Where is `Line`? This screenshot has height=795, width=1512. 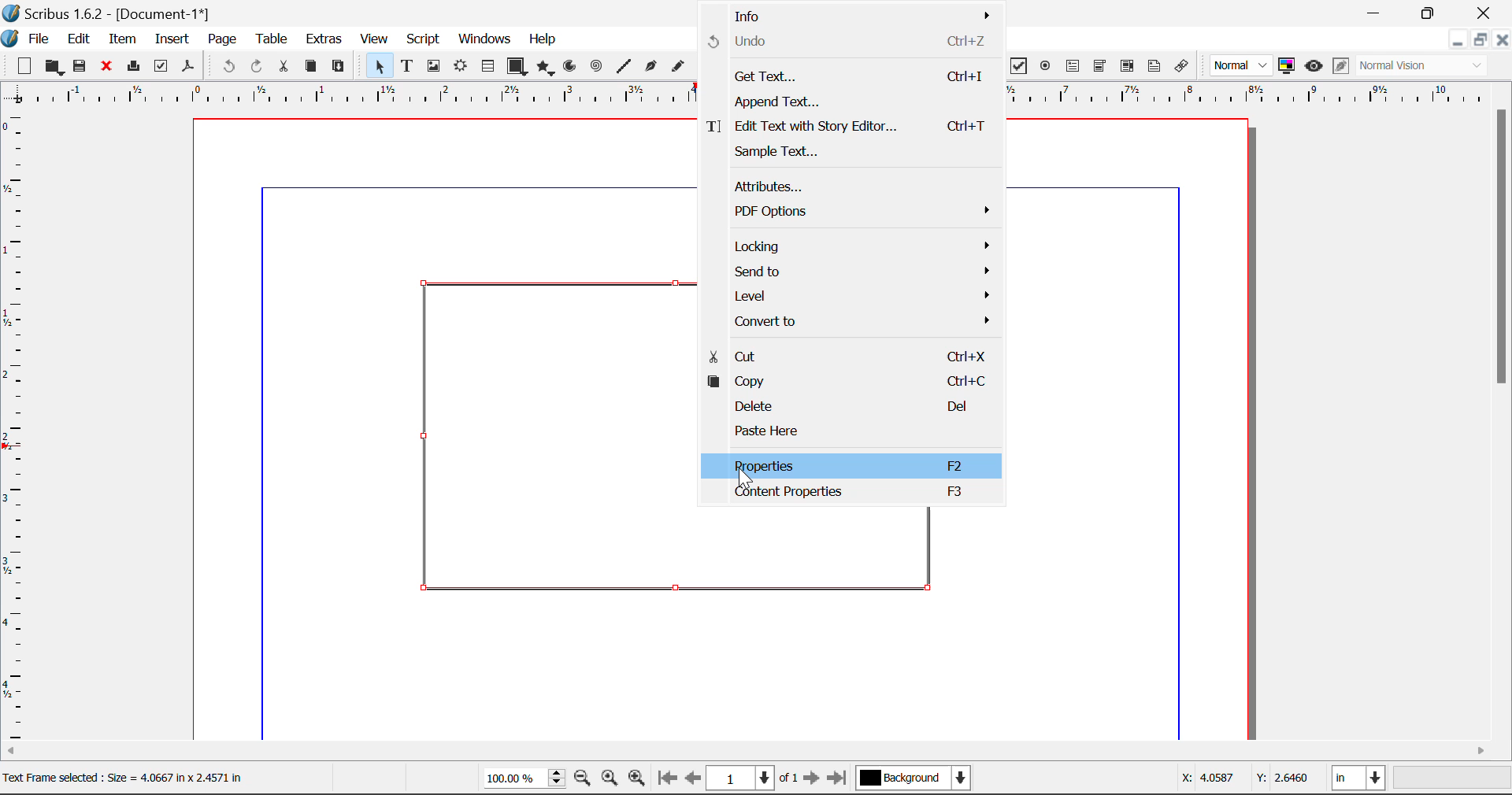 Line is located at coordinates (624, 66).